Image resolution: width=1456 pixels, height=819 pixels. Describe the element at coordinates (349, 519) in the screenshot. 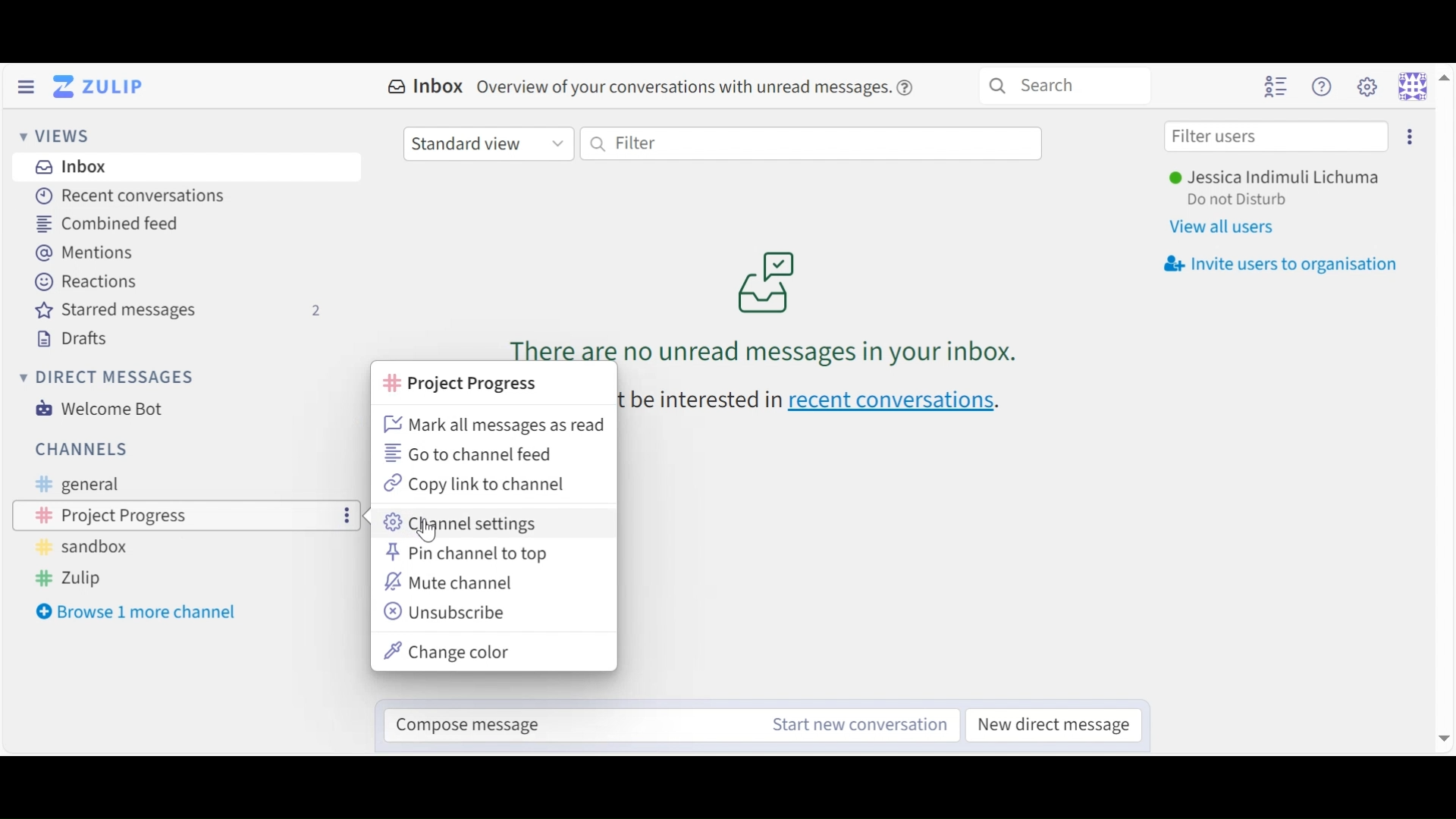

I see `options` at that location.